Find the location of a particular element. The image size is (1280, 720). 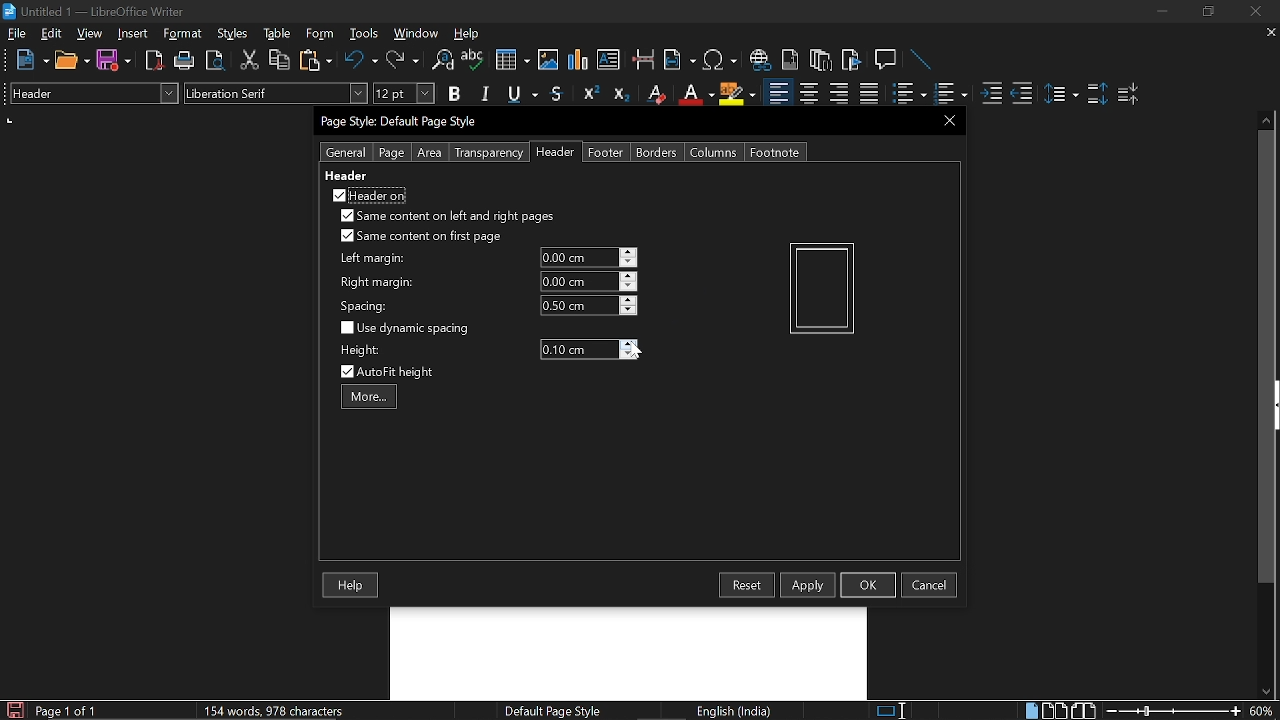

Toggle unordered list is located at coordinates (949, 94).